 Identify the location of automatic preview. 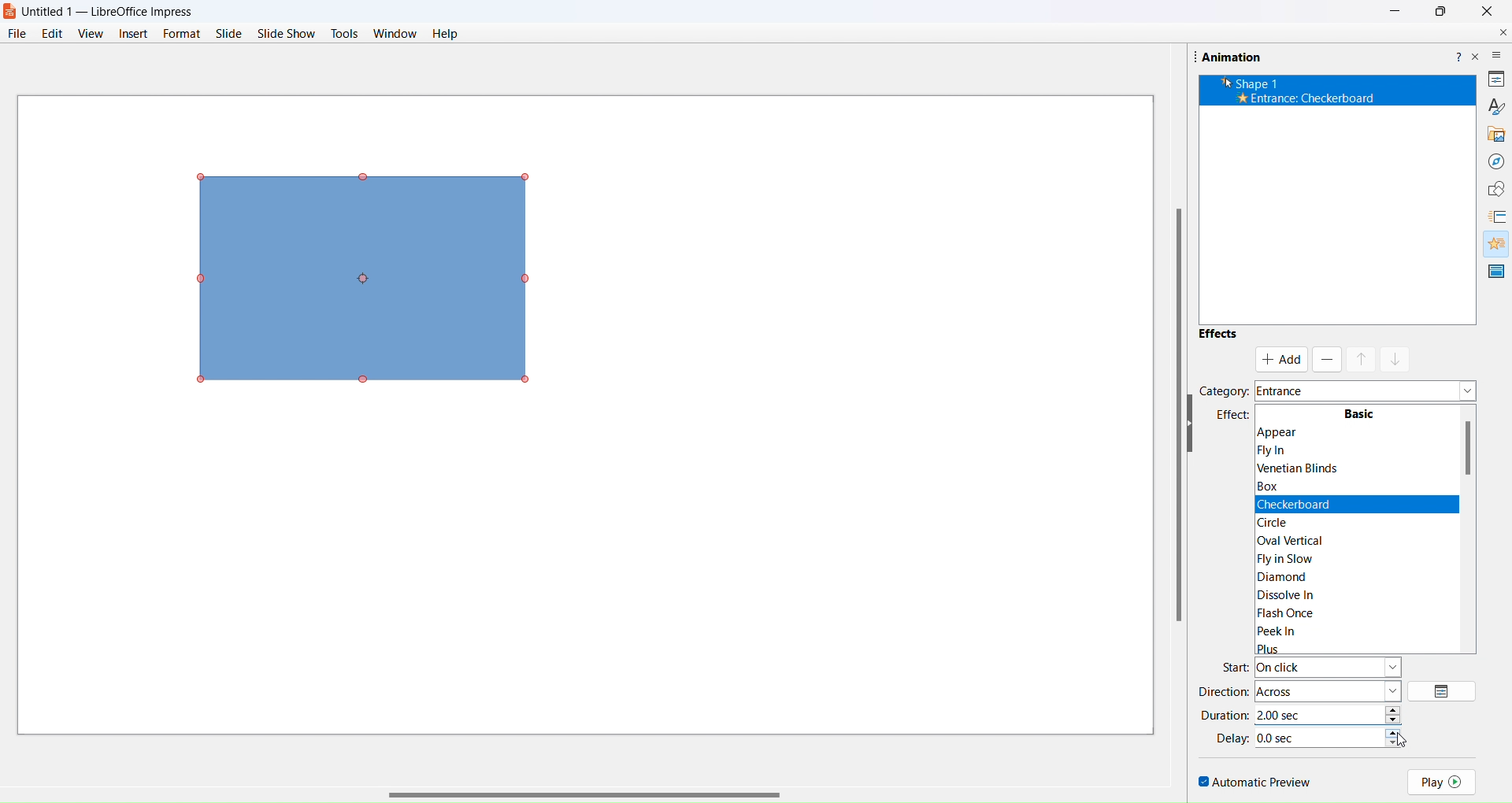
(1254, 779).